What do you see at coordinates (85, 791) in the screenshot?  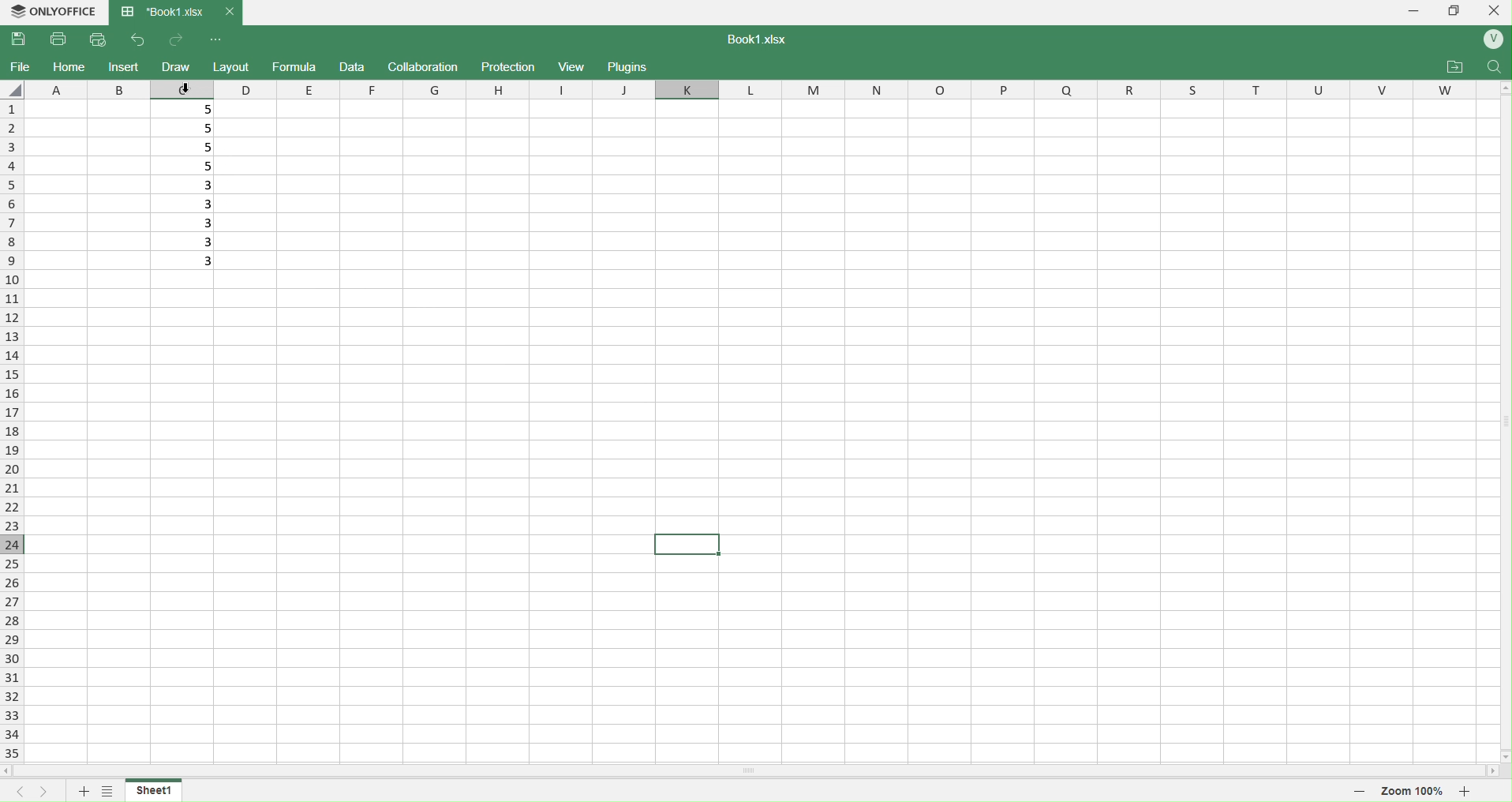 I see `new sheet` at bounding box center [85, 791].